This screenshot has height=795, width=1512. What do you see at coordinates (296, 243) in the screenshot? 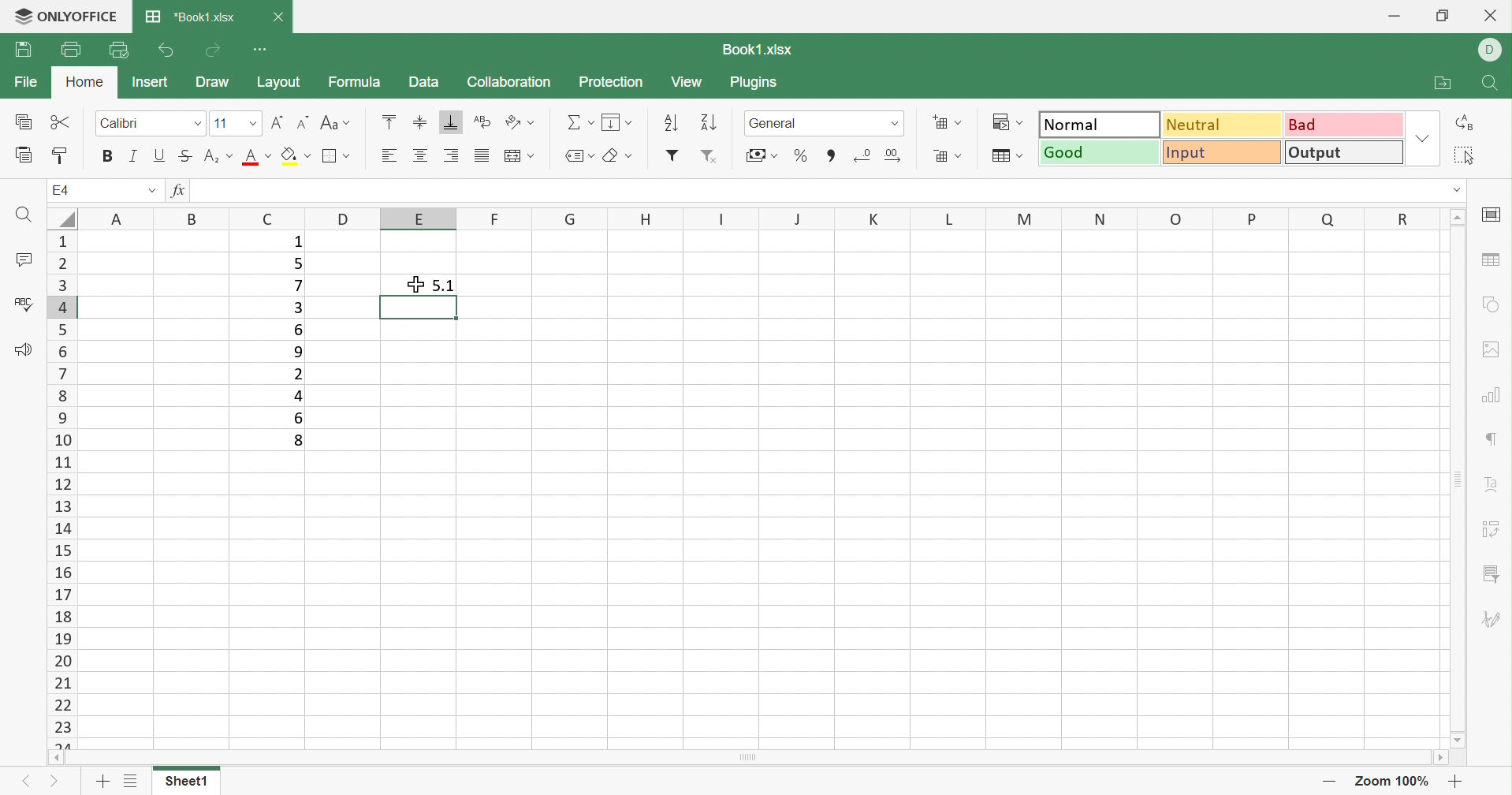
I see `1` at bounding box center [296, 243].